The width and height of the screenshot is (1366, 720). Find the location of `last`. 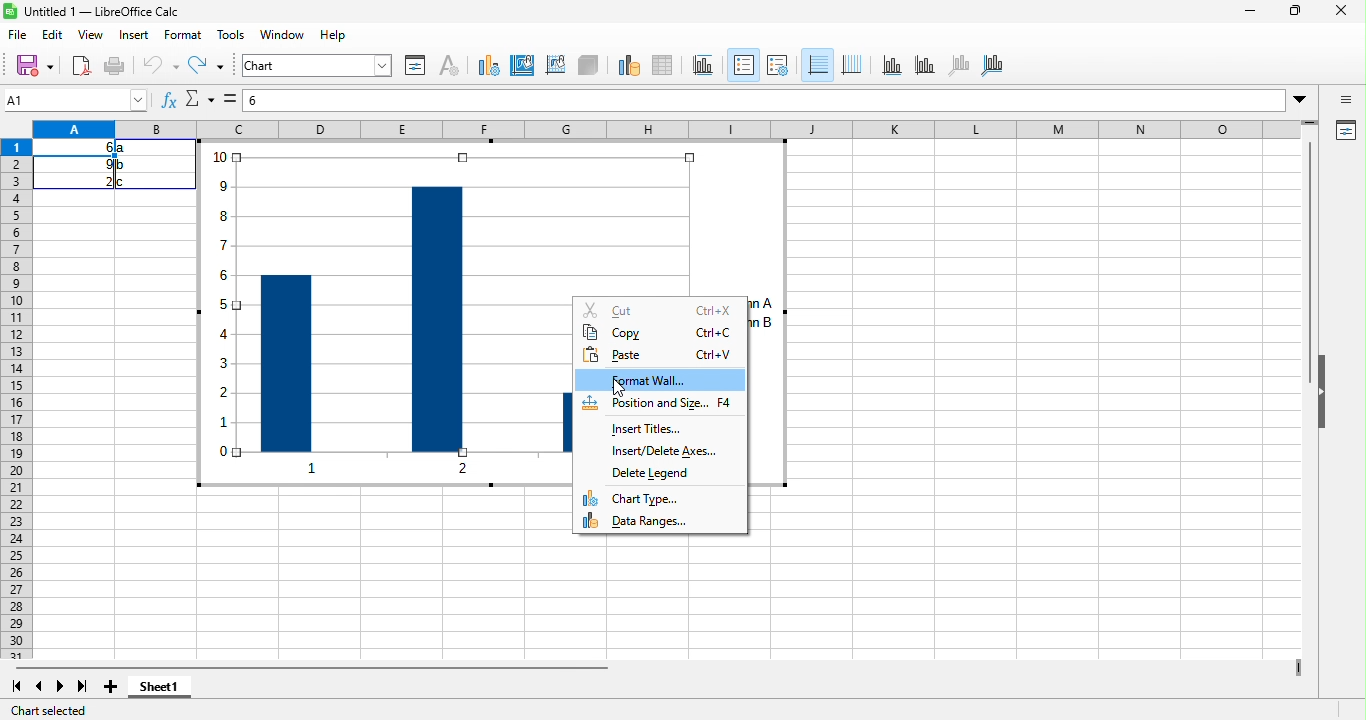

last is located at coordinates (85, 688).